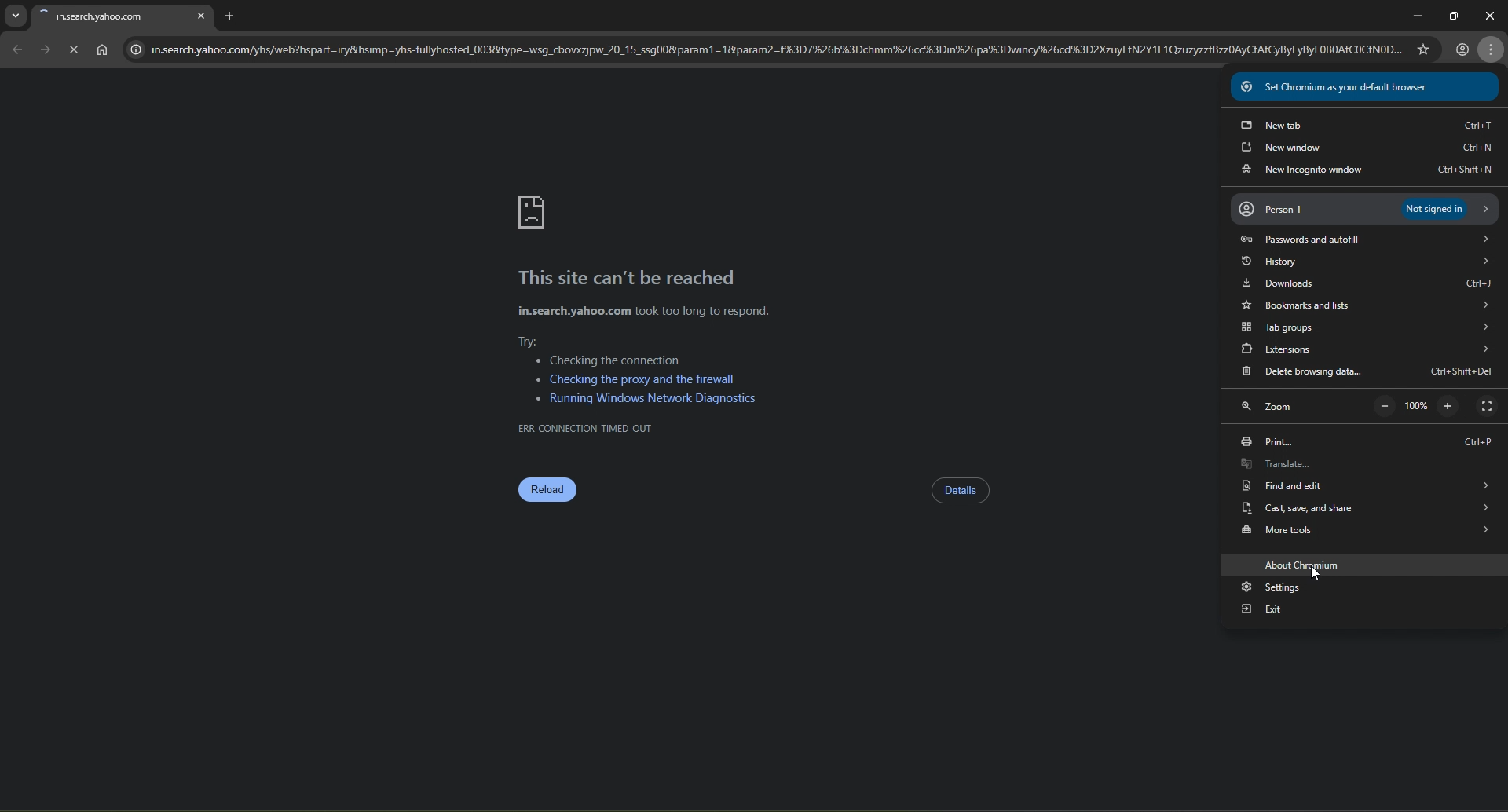 This screenshot has width=1508, height=812. I want to click on Go Back, so click(16, 49).